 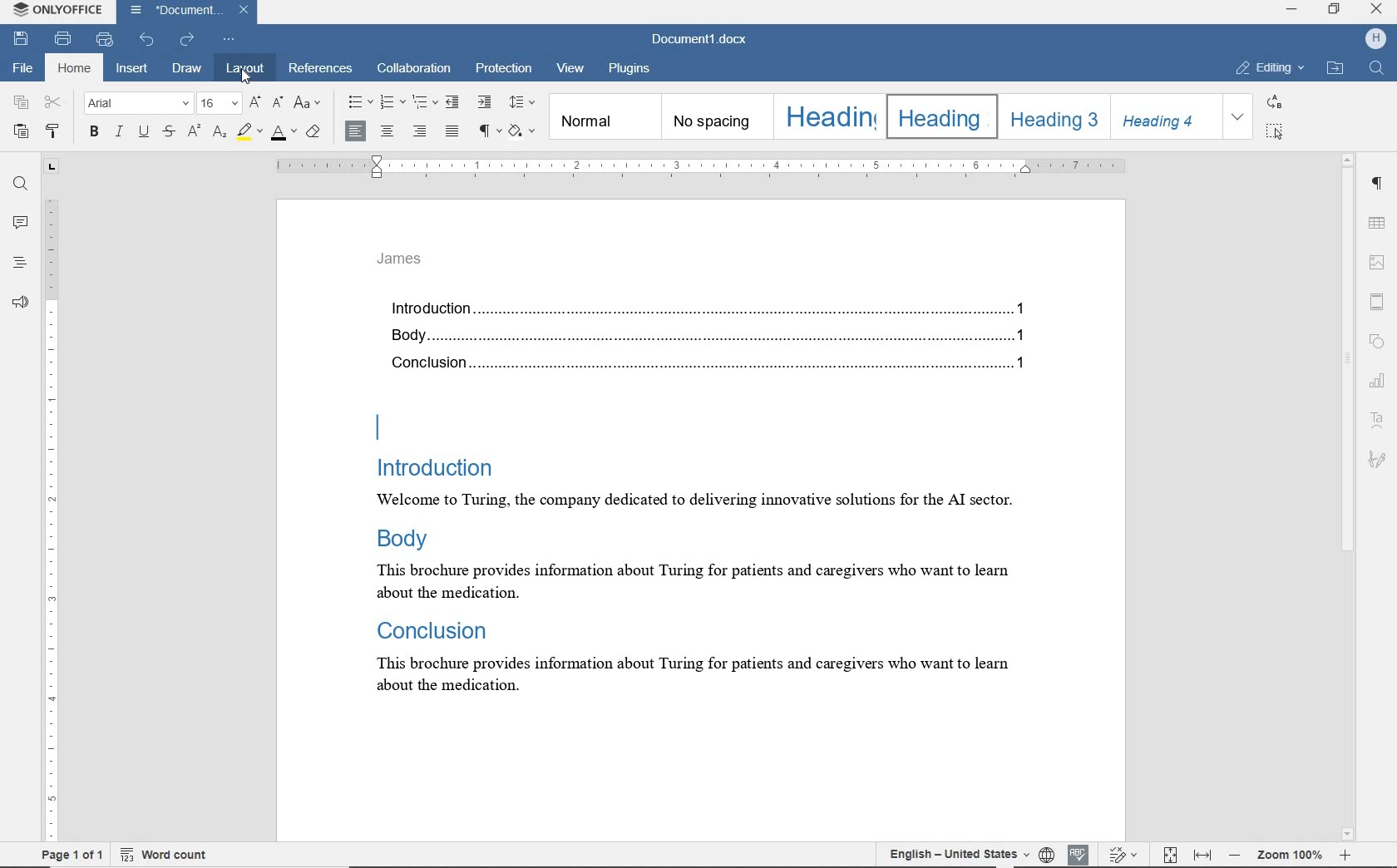 What do you see at coordinates (193, 131) in the screenshot?
I see `superscript` at bounding box center [193, 131].